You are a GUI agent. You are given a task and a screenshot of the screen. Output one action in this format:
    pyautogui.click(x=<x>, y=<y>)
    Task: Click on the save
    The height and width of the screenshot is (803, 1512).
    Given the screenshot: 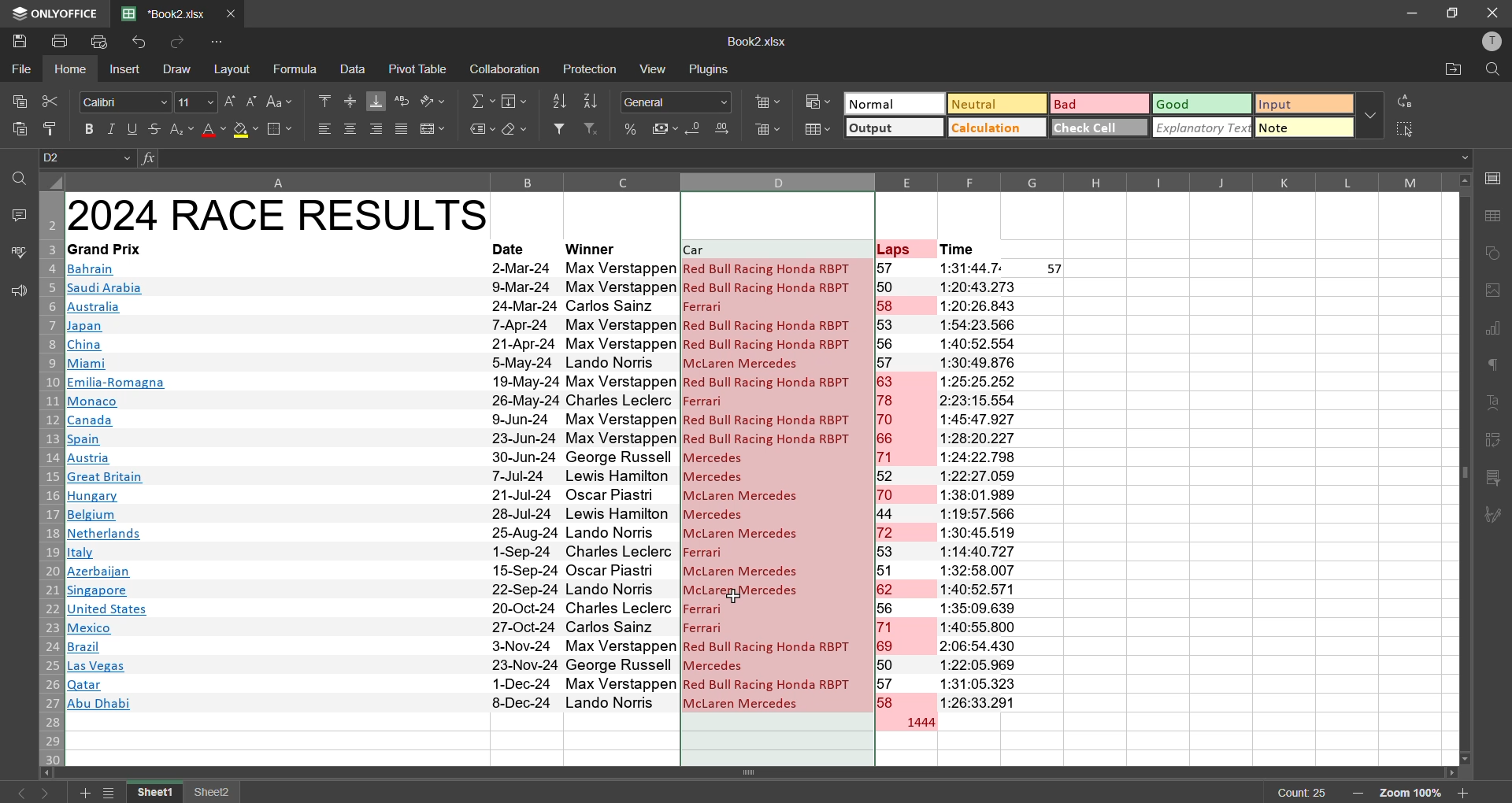 What is the action you would take?
    pyautogui.click(x=19, y=39)
    